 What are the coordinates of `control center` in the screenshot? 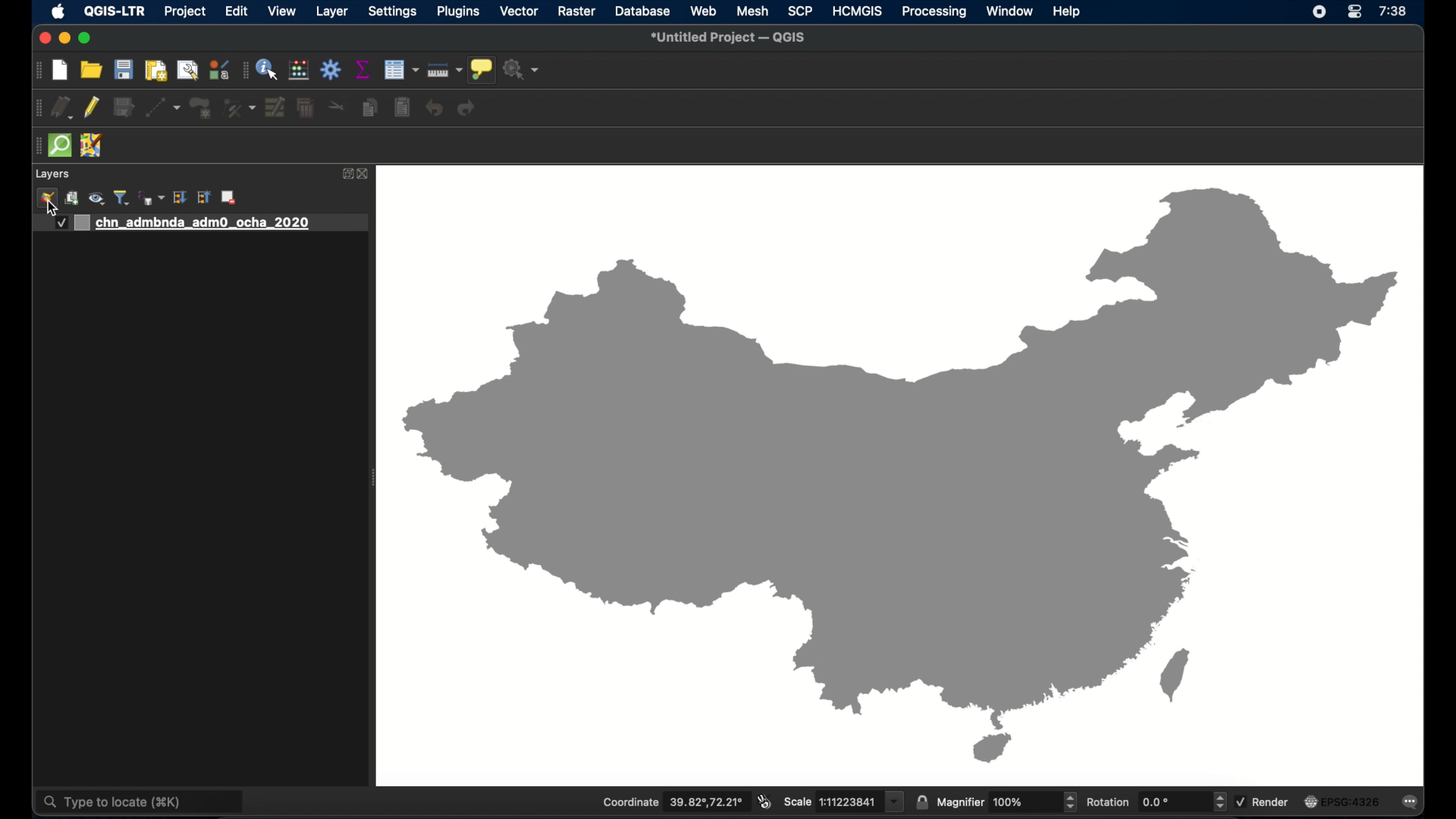 It's located at (1355, 12).